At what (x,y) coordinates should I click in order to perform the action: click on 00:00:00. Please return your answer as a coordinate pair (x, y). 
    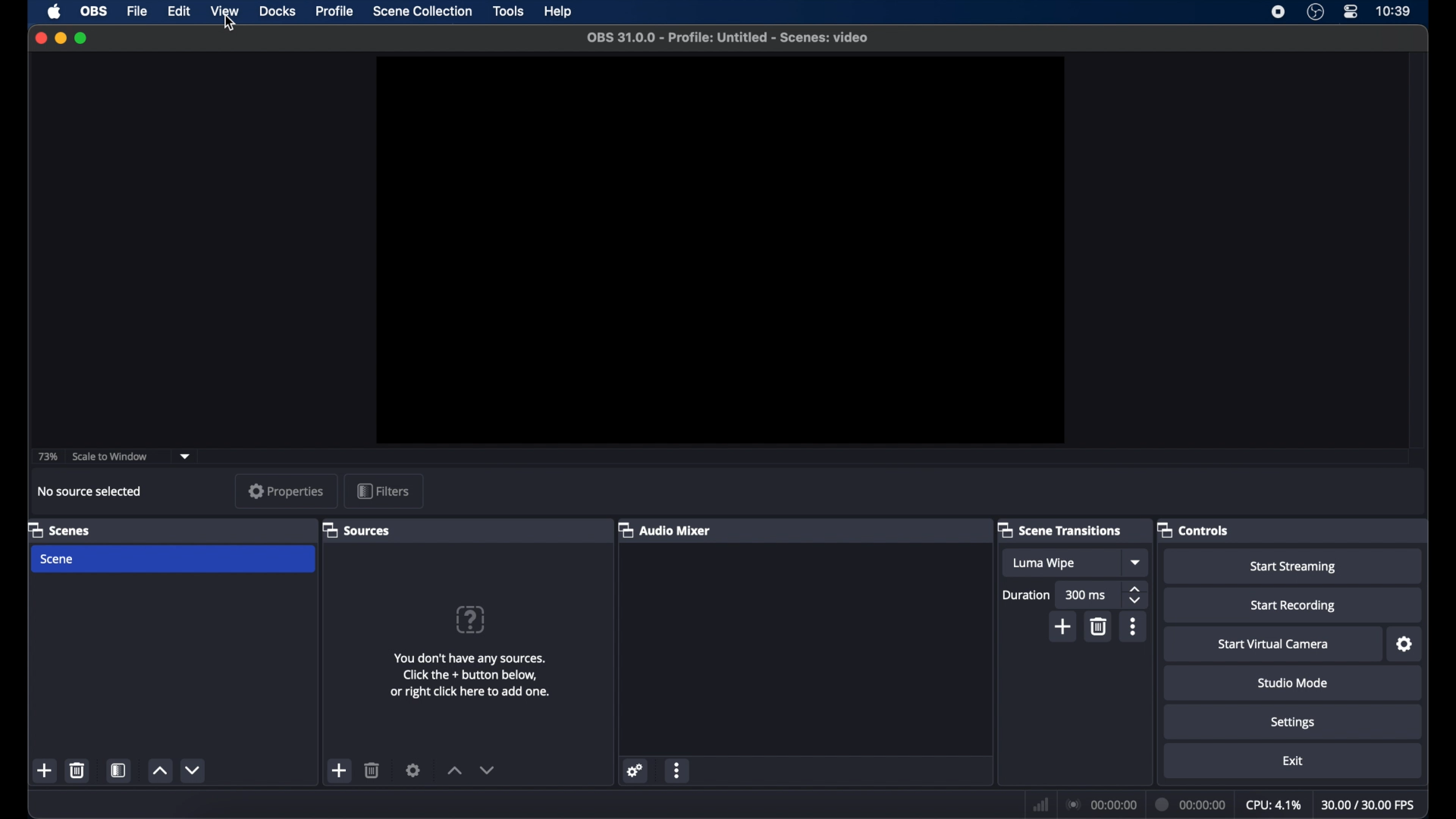
    Looking at the image, I should click on (1191, 804).